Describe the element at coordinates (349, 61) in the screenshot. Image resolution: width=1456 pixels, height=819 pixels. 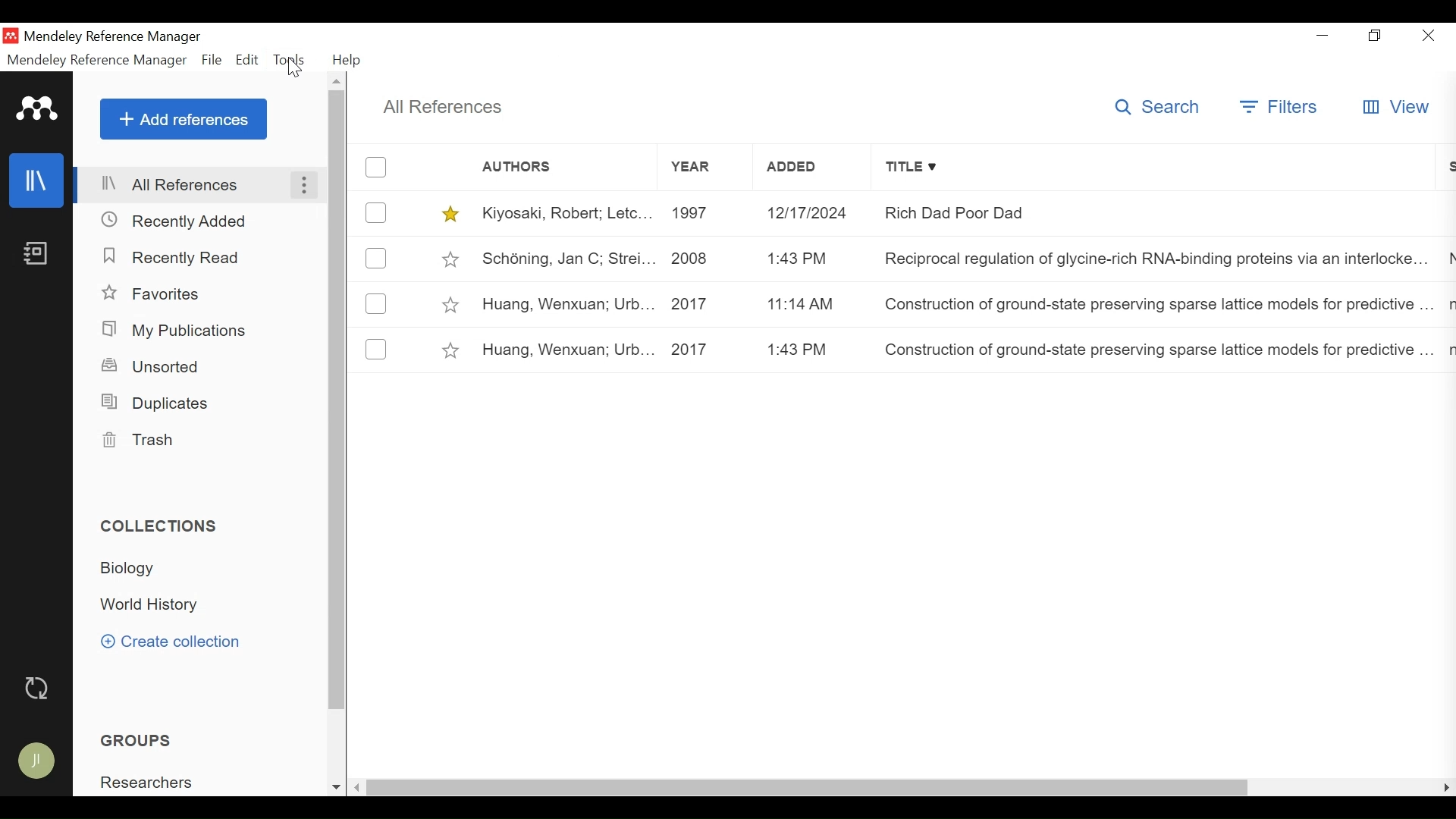
I see `Help` at that location.